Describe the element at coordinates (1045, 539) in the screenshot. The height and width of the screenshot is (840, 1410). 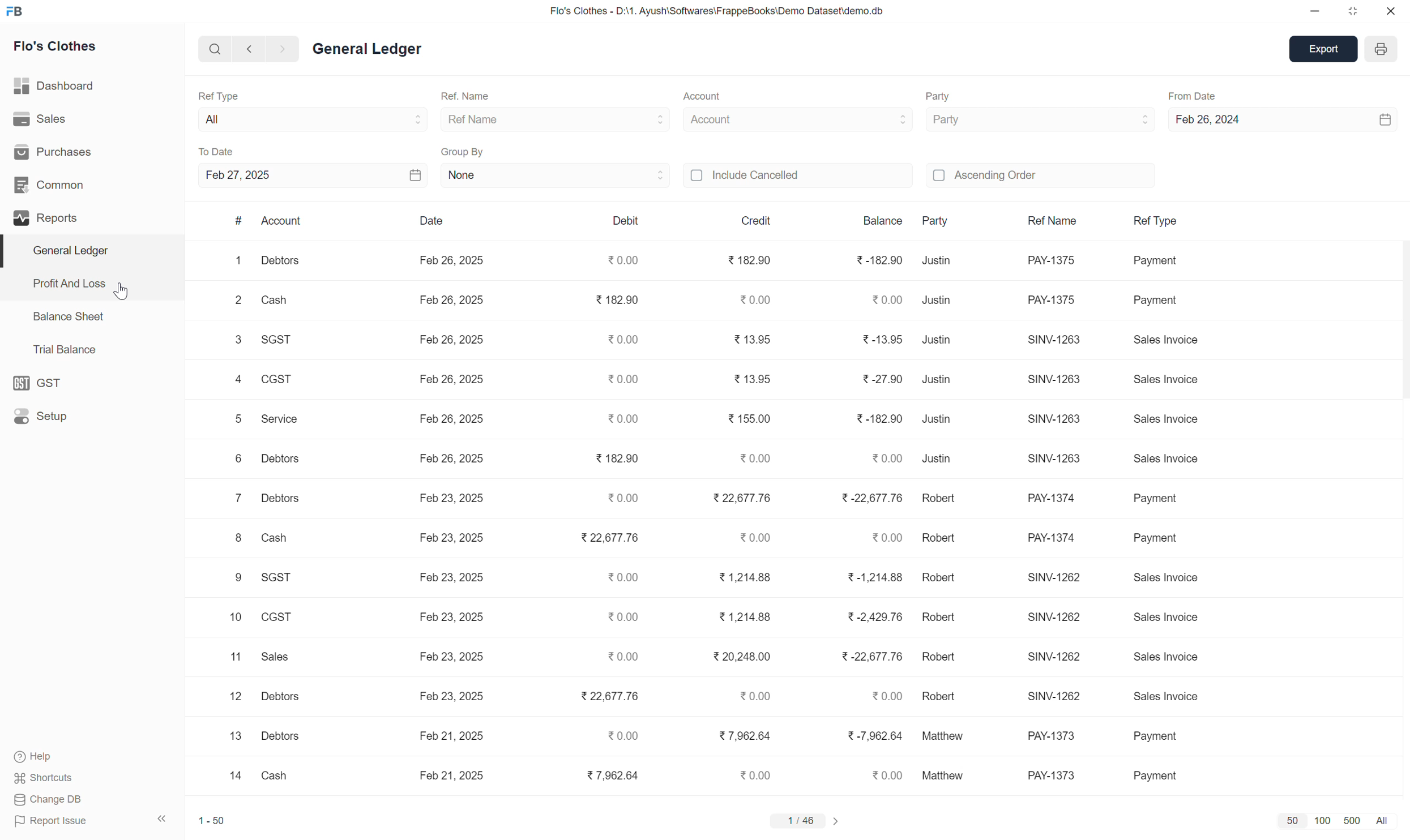
I see `PAY-1374` at that location.